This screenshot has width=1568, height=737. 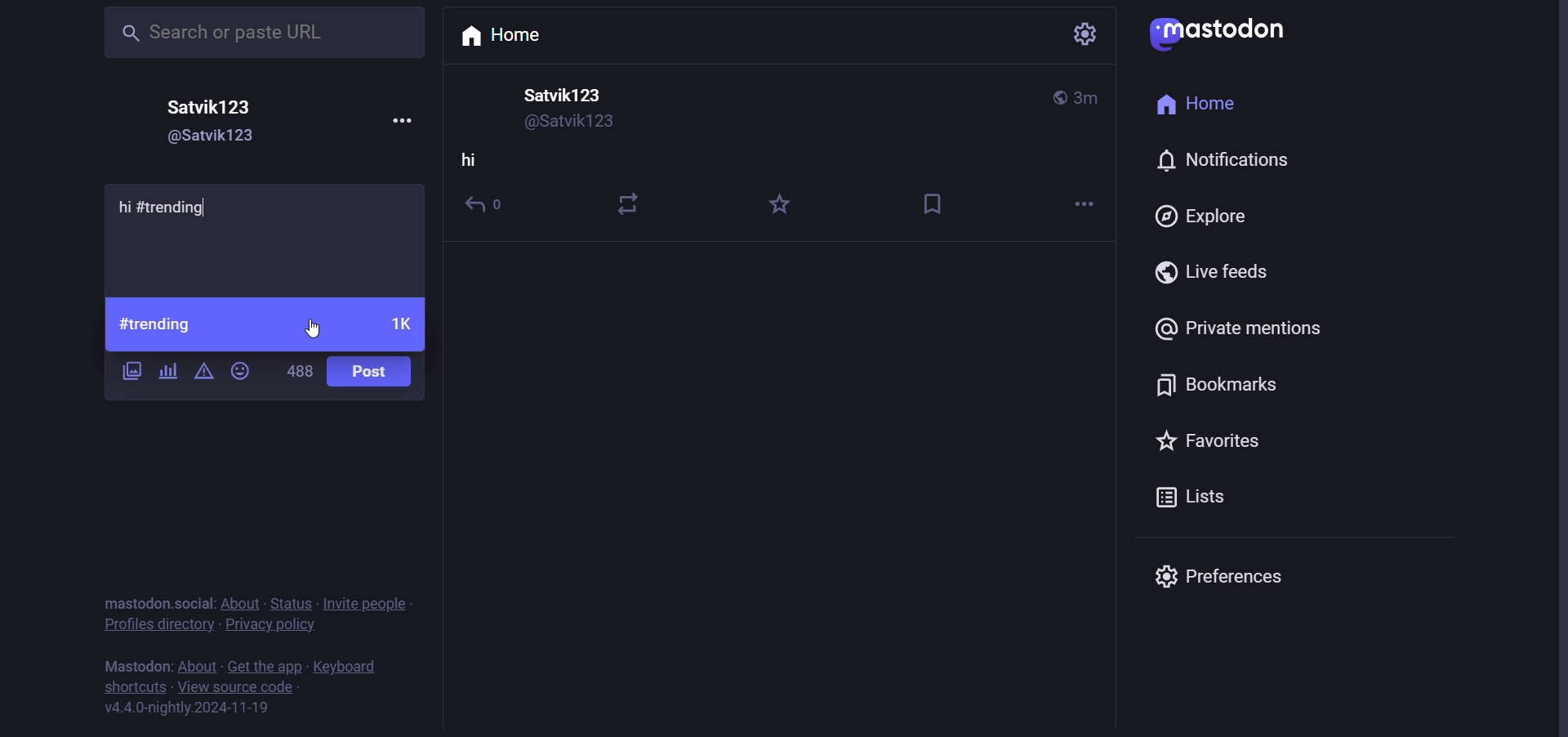 What do you see at coordinates (137, 603) in the screenshot?
I see `text` at bounding box center [137, 603].